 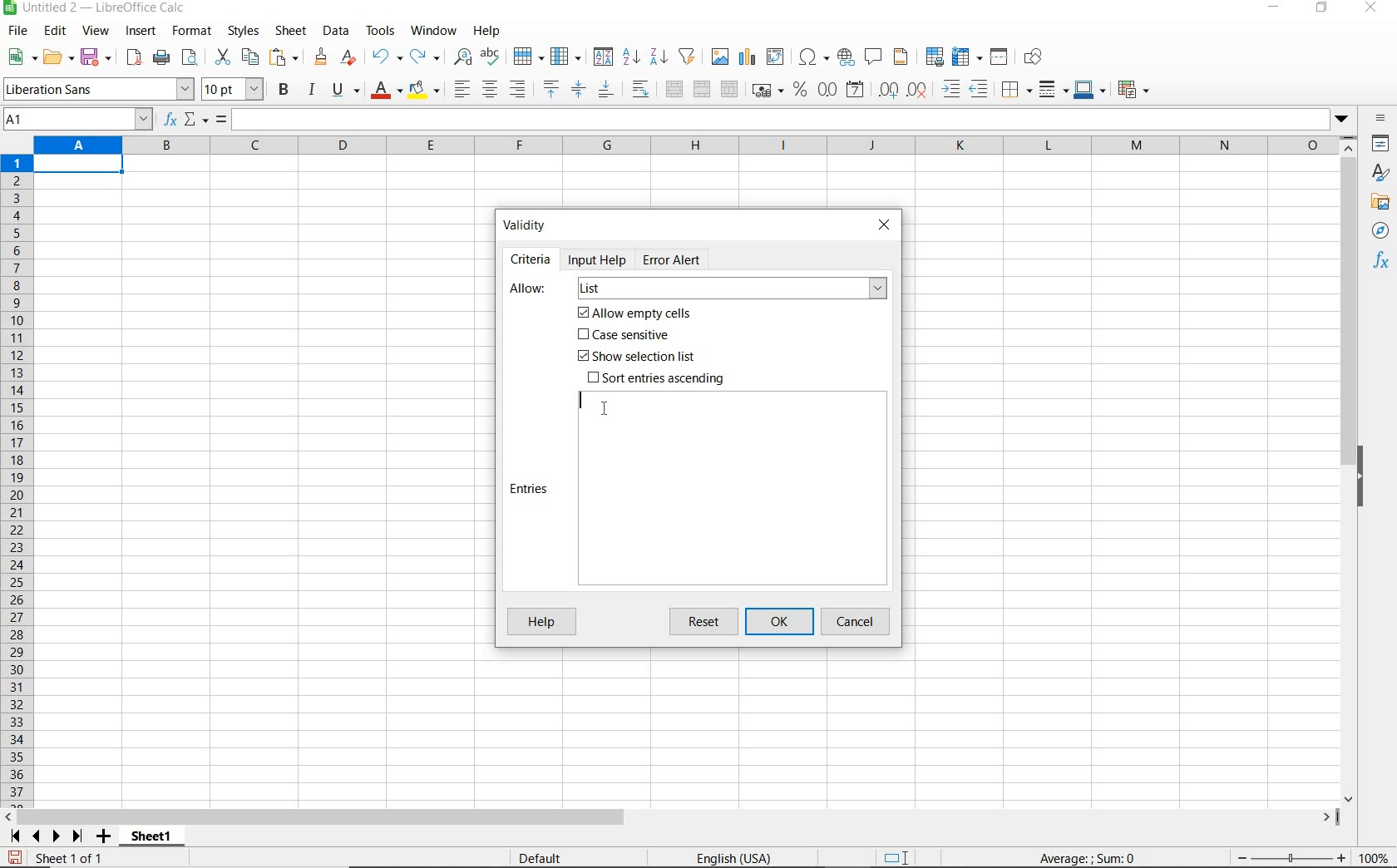 What do you see at coordinates (433, 28) in the screenshot?
I see `window` at bounding box center [433, 28].